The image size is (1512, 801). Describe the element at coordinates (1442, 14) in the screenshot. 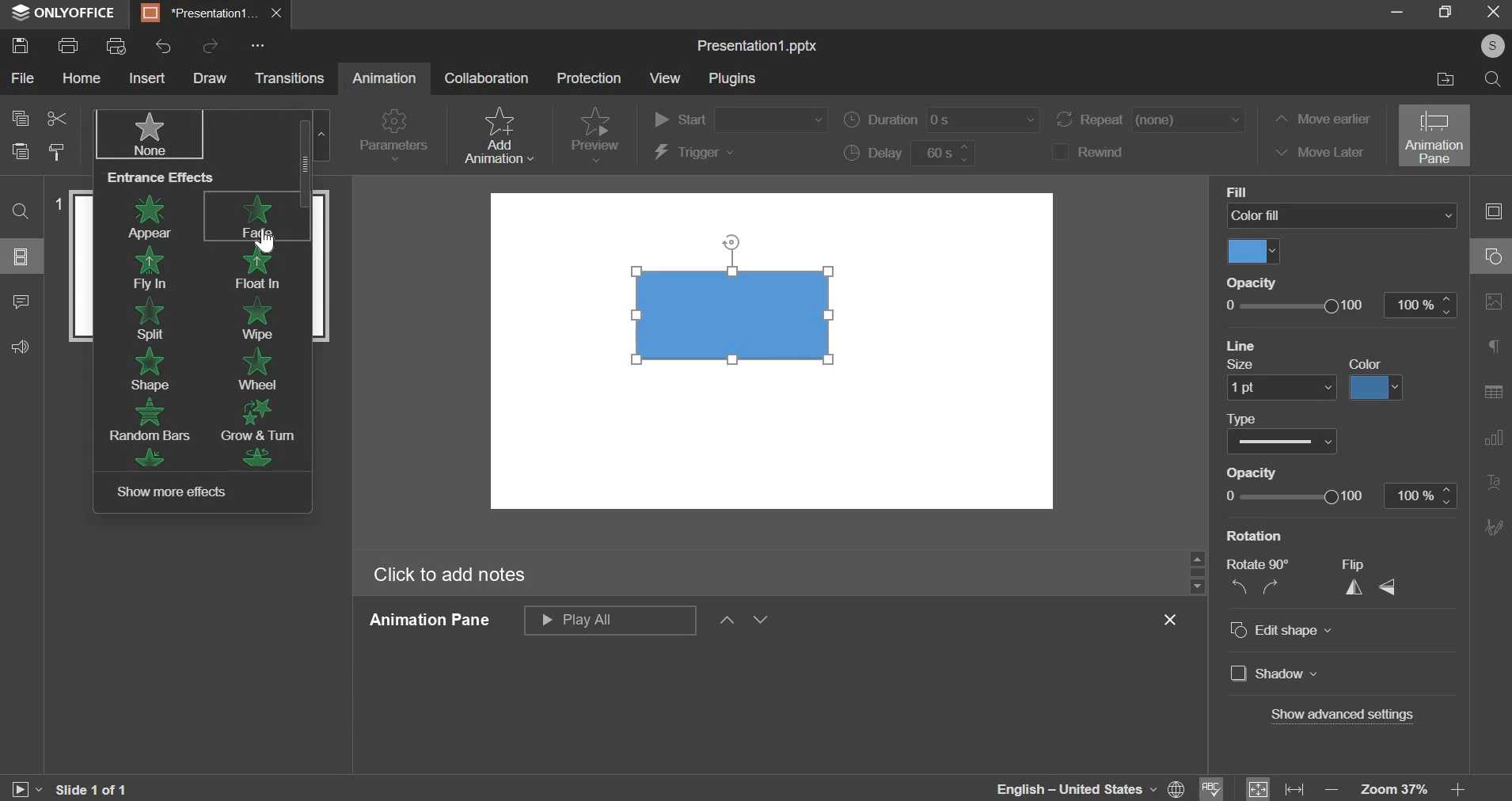

I see `maximize` at that location.